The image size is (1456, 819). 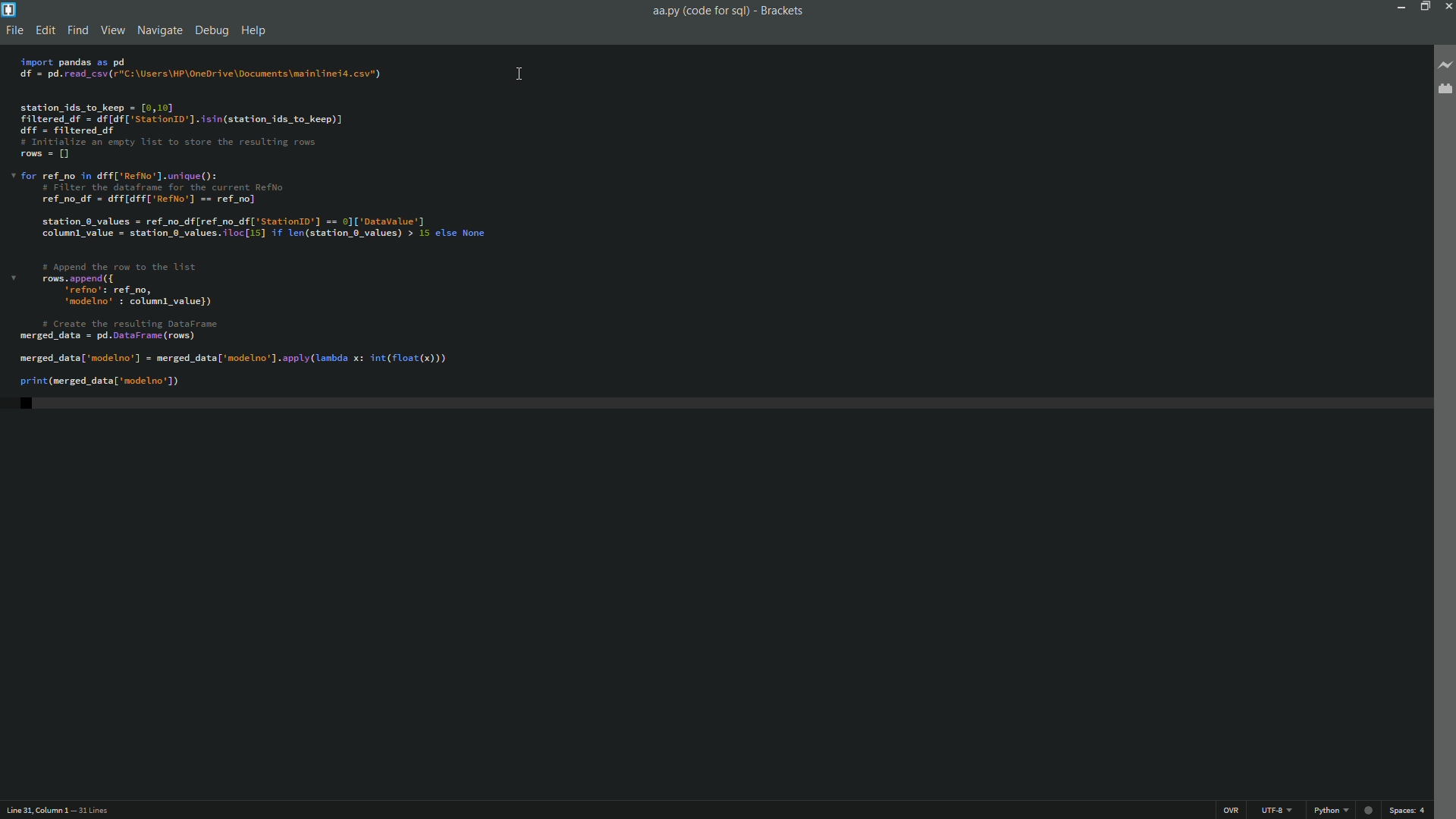 I want to click on maximize button, so click(x=1422, y=8).